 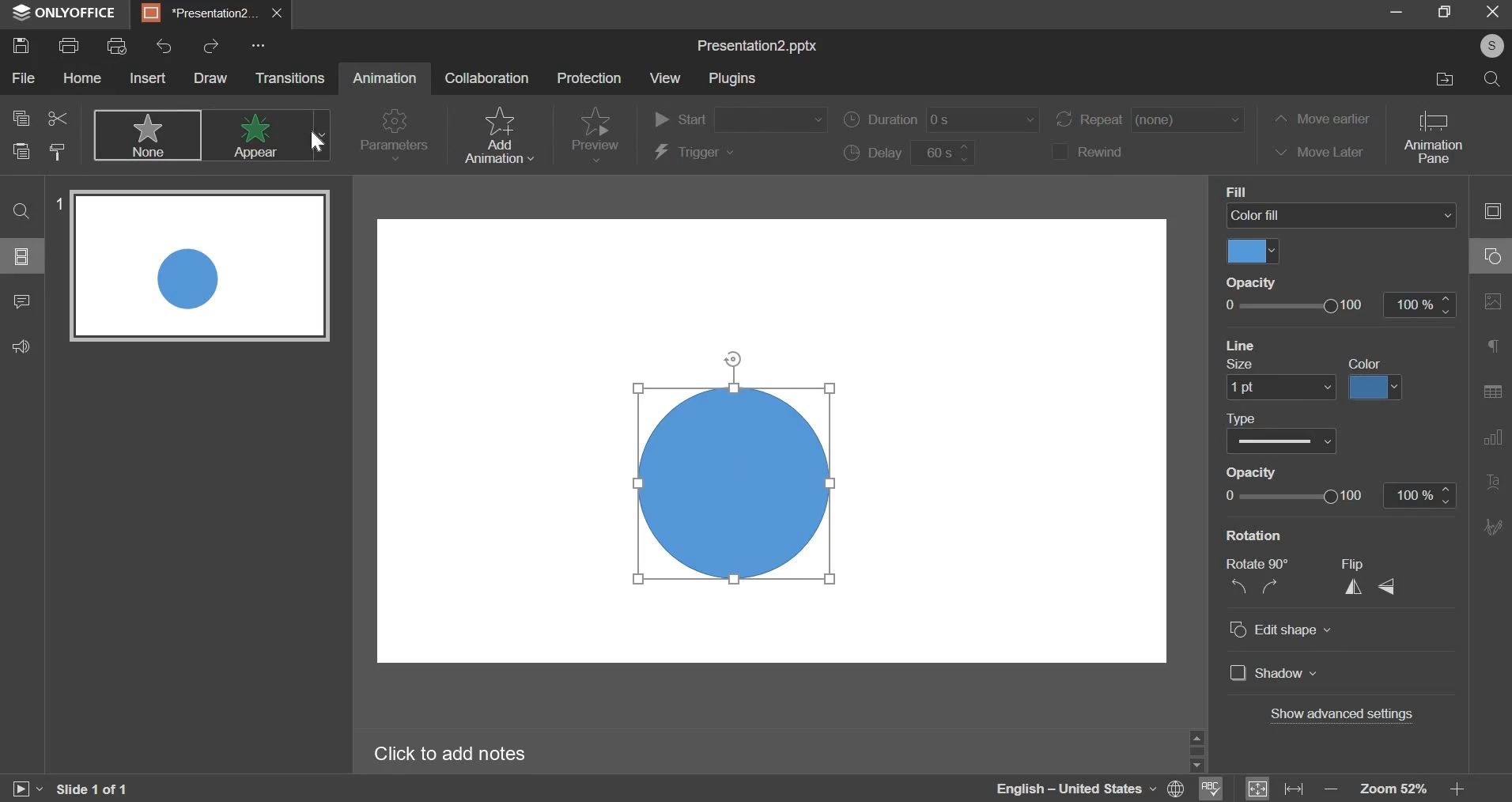 I want to click on parameters, so click(x=392, y=136).